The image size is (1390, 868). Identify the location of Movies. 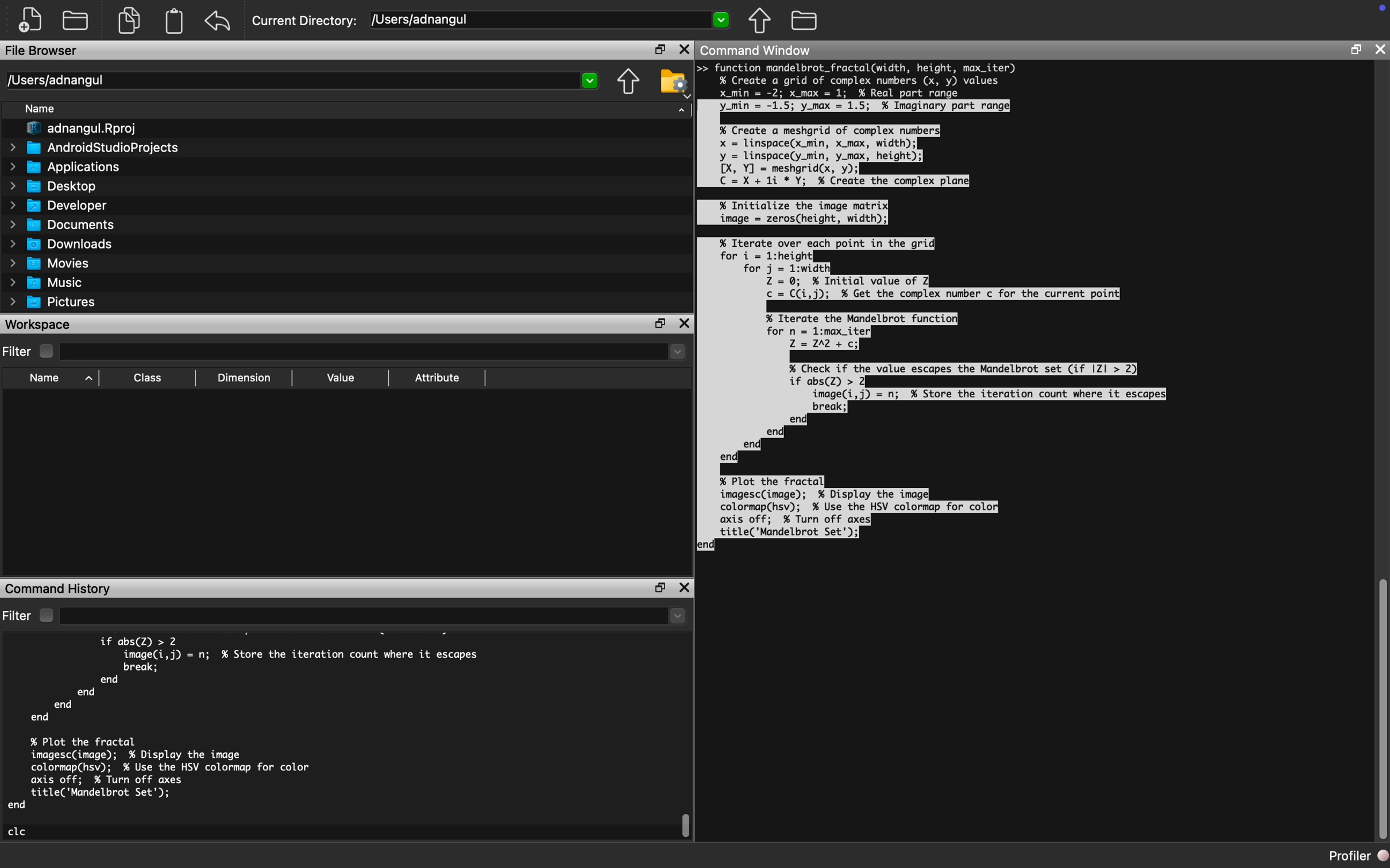
(48, 263).